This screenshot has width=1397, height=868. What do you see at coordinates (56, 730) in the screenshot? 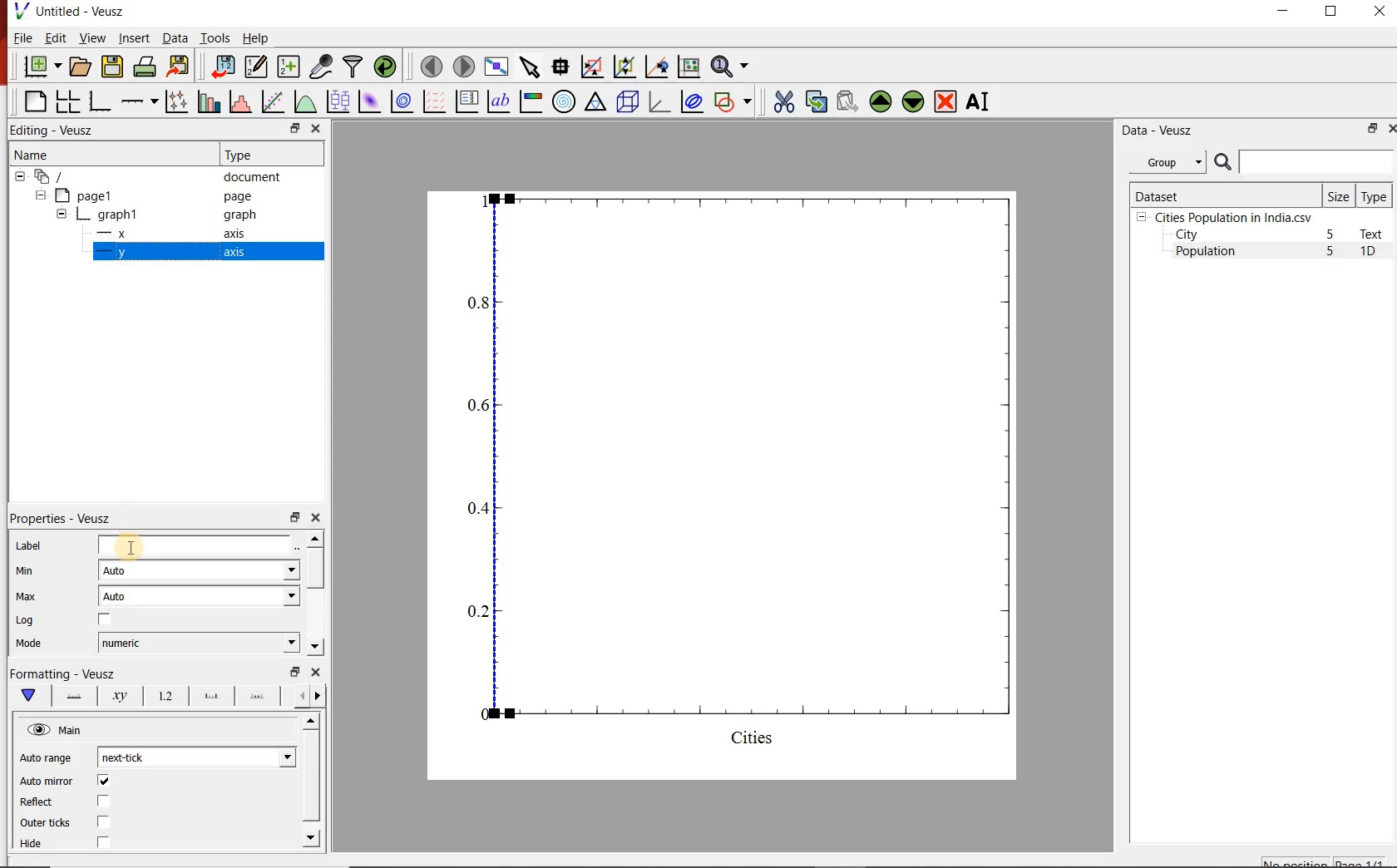
I see `Main` at bounding box center [56, 730].